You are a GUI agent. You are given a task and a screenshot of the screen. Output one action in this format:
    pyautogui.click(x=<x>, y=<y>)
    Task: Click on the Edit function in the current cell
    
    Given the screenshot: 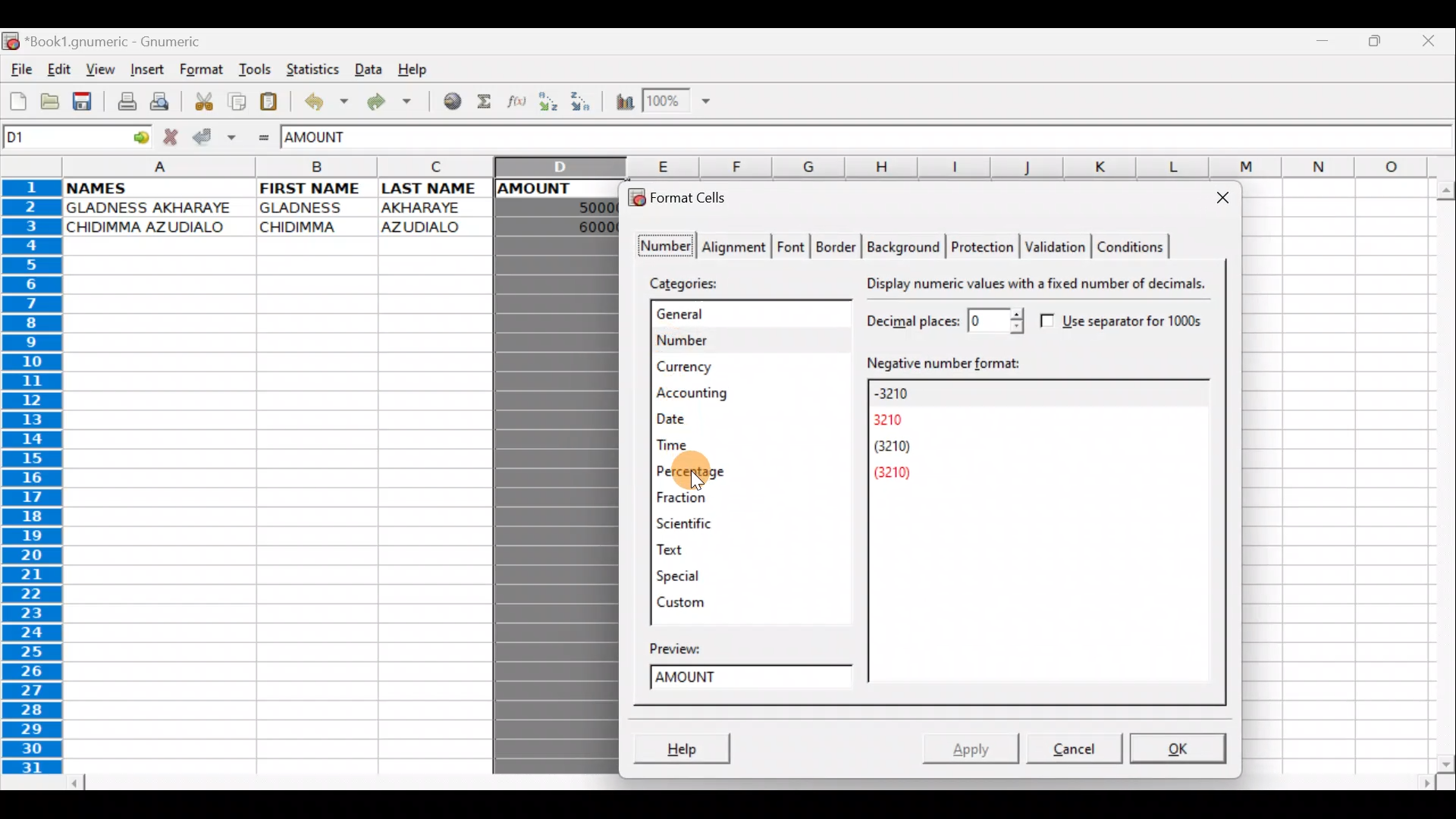 What is the action you would take?
    pyautogui.click(x=519, y=102)
    